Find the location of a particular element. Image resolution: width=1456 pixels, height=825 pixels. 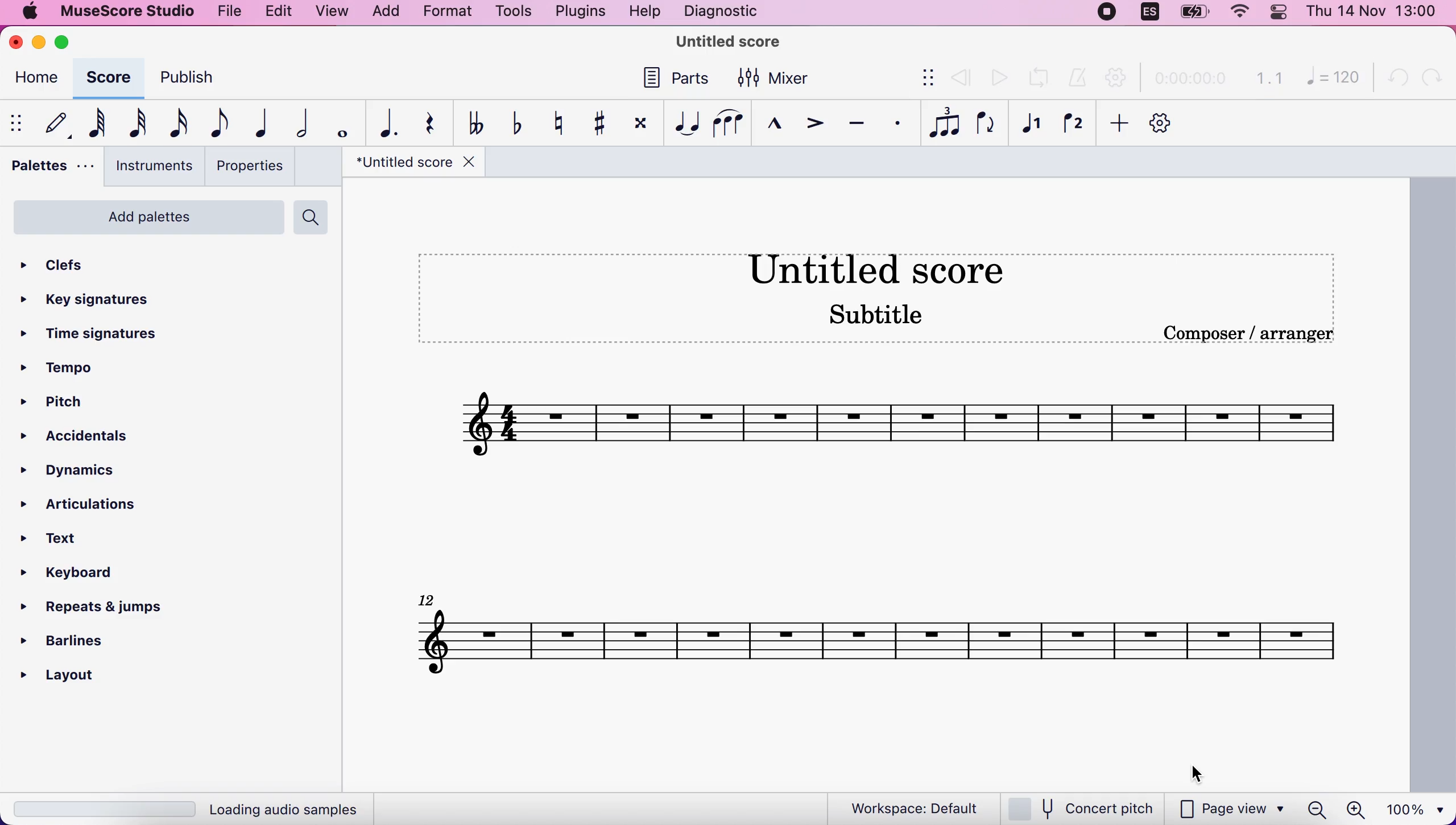

articulations is located at coordinates (80, 507).